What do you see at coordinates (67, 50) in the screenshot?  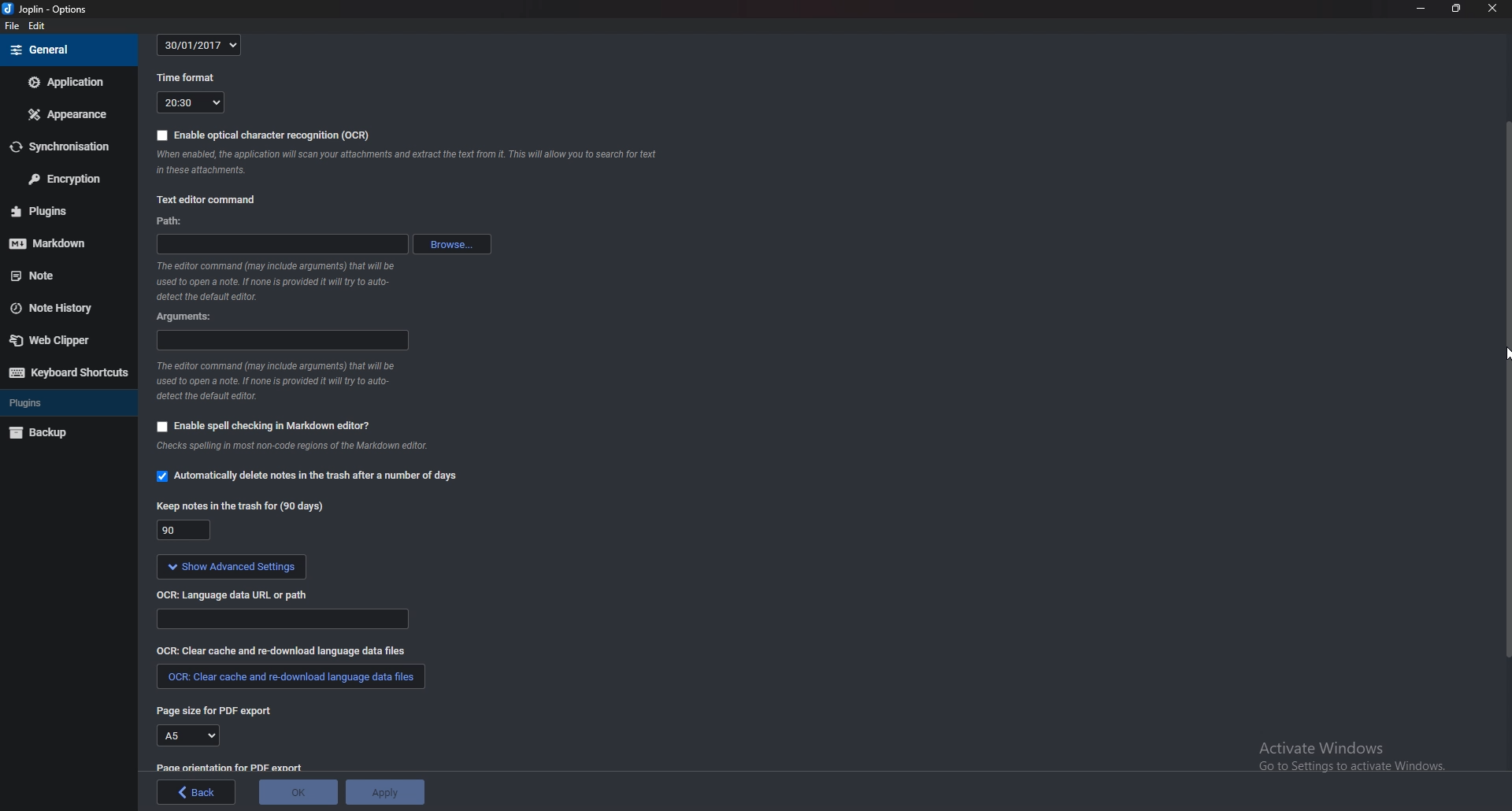 I see `general` at bounding box center [67, 50].